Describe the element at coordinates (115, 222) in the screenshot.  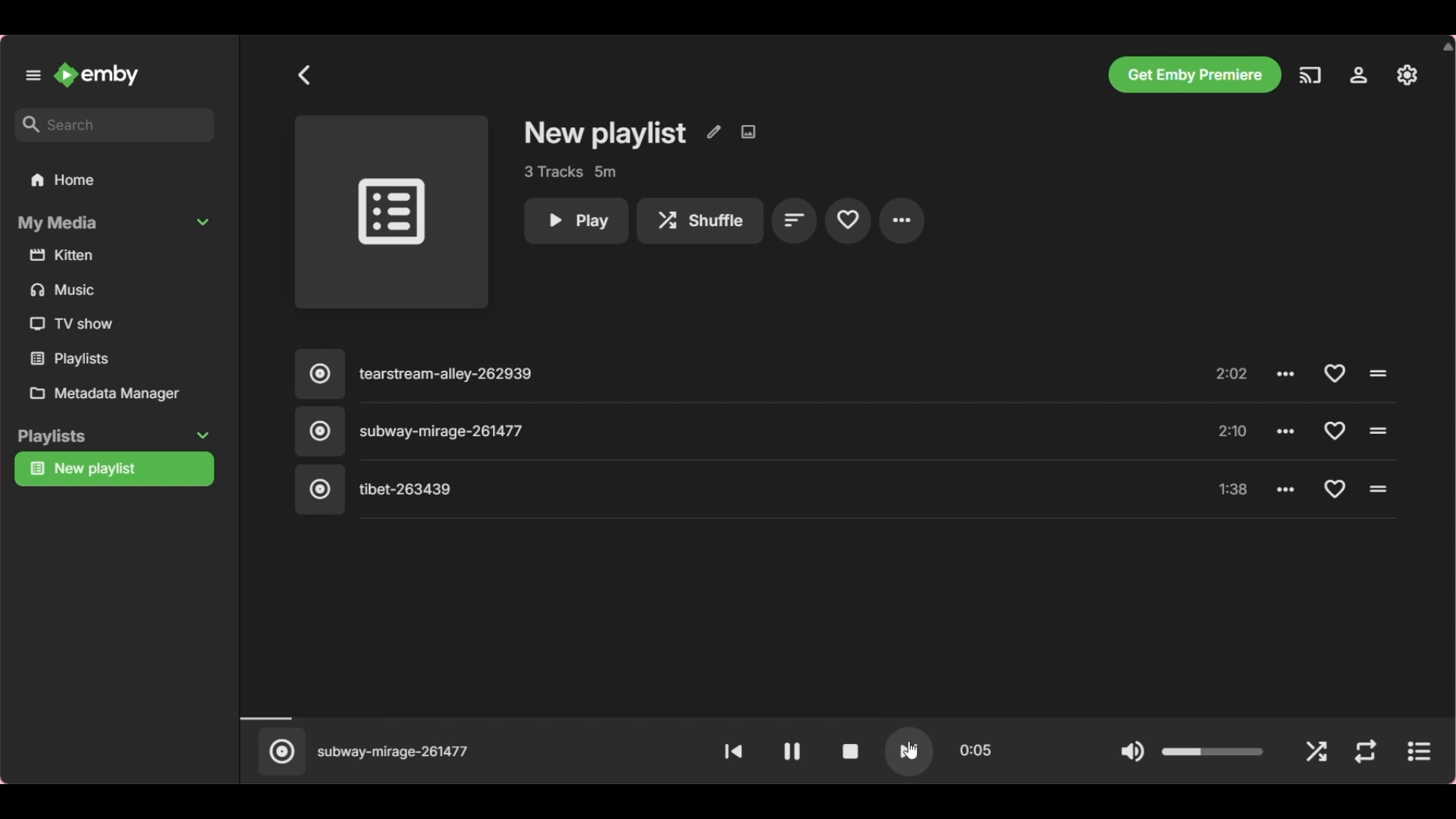
I see `Collapse My Media` at that location.